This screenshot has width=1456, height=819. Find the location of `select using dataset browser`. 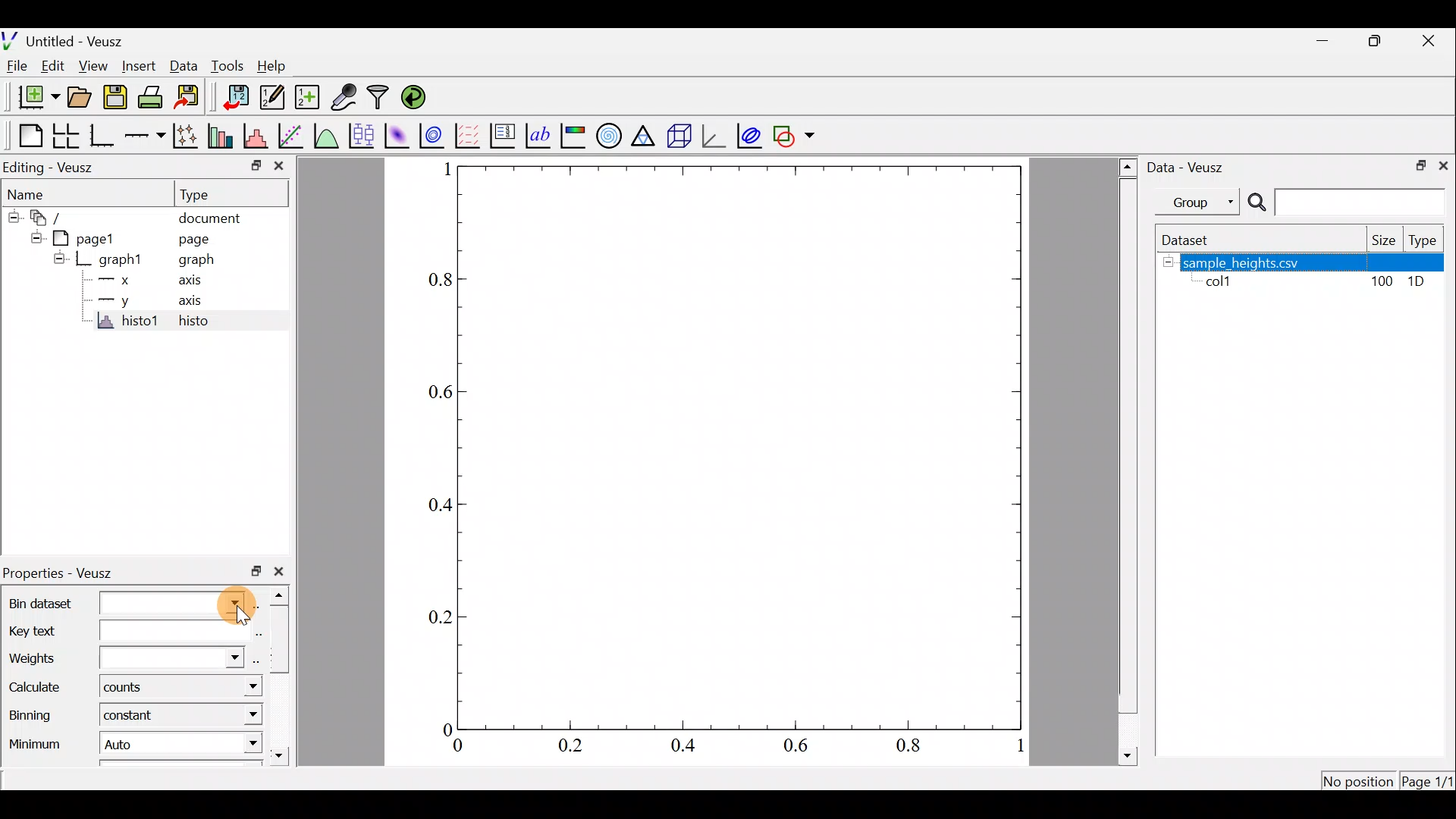

select using dataset browser is located at coordinates (259, 604).